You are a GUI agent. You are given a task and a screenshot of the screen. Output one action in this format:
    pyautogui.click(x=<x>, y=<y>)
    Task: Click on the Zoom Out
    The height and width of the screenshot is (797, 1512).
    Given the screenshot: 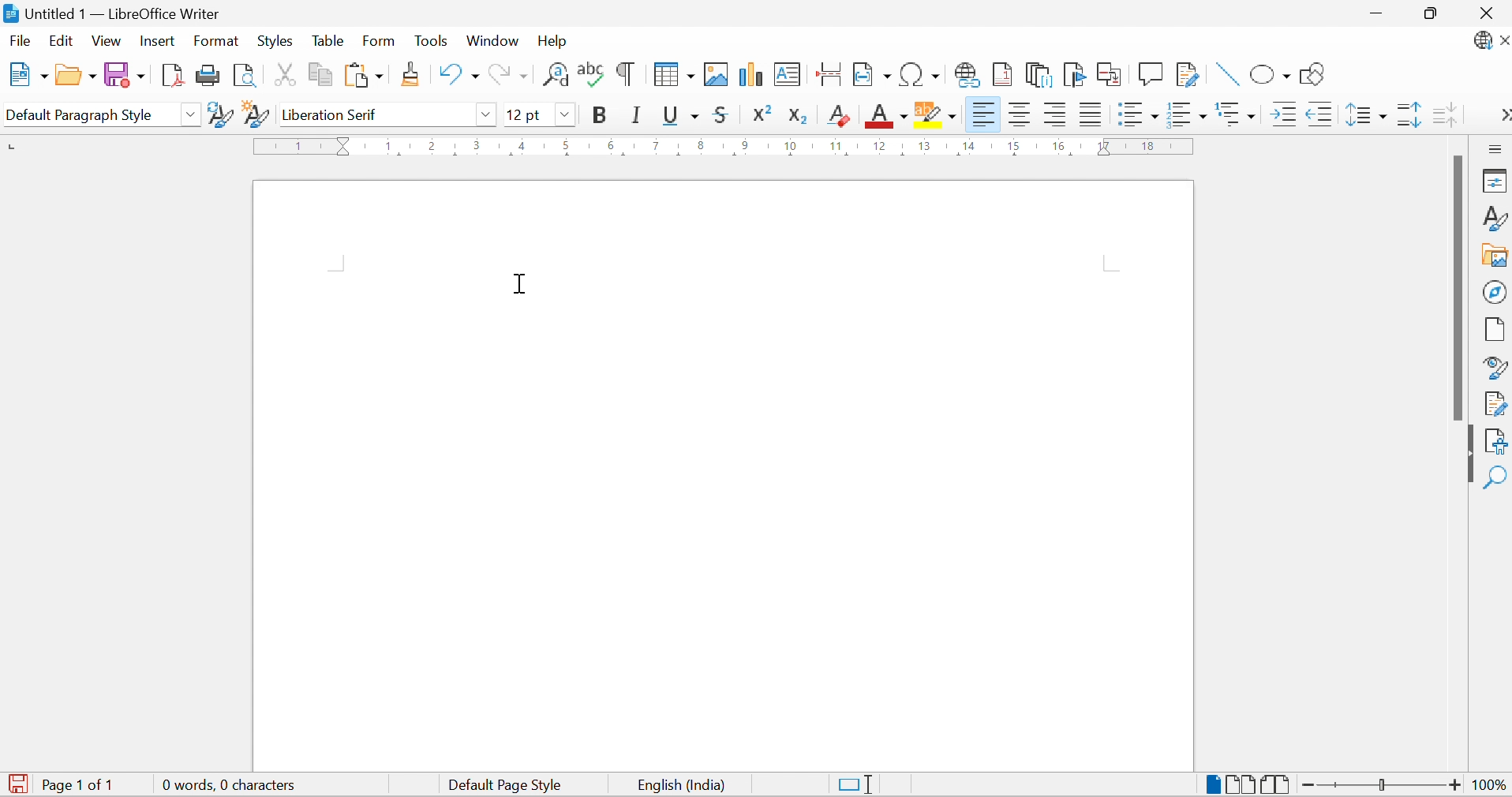 What is the action you would take?
    pyautogui.click(x=1307, y=784)
    